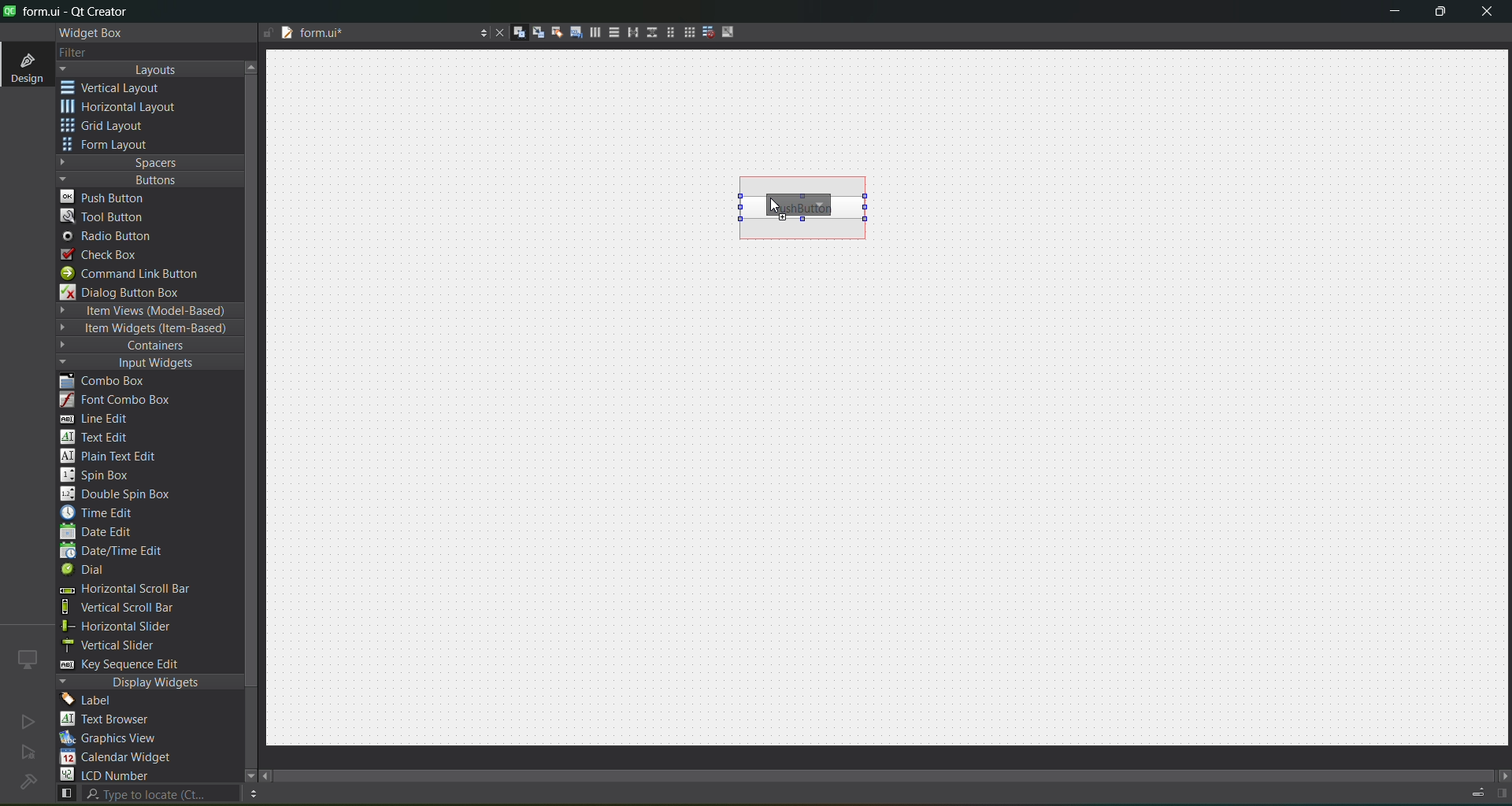 The image size is (1512, 806). I want to click on check box, so click(107, 255).